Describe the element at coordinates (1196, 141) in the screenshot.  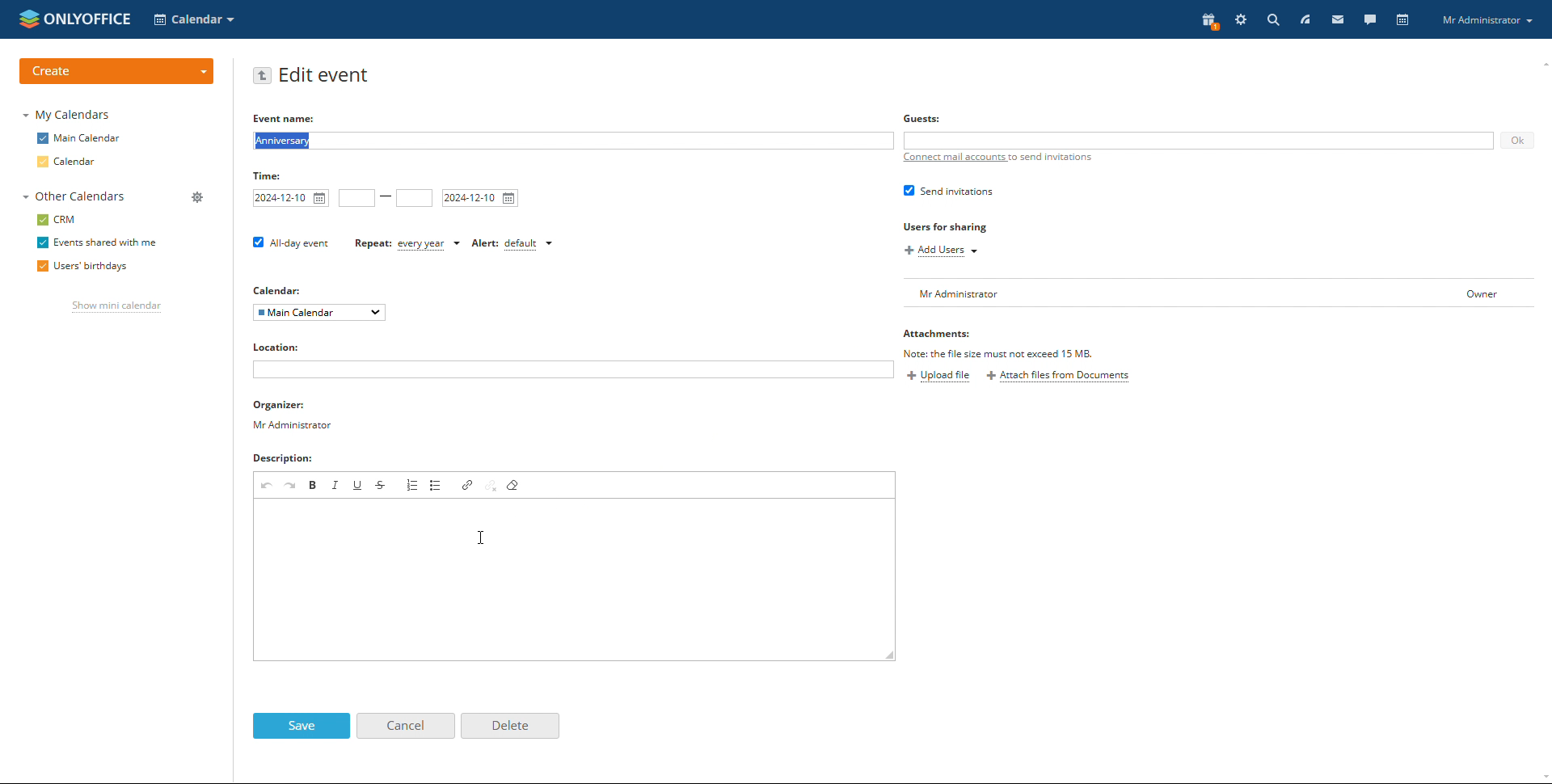
I see `add guests` at that location.